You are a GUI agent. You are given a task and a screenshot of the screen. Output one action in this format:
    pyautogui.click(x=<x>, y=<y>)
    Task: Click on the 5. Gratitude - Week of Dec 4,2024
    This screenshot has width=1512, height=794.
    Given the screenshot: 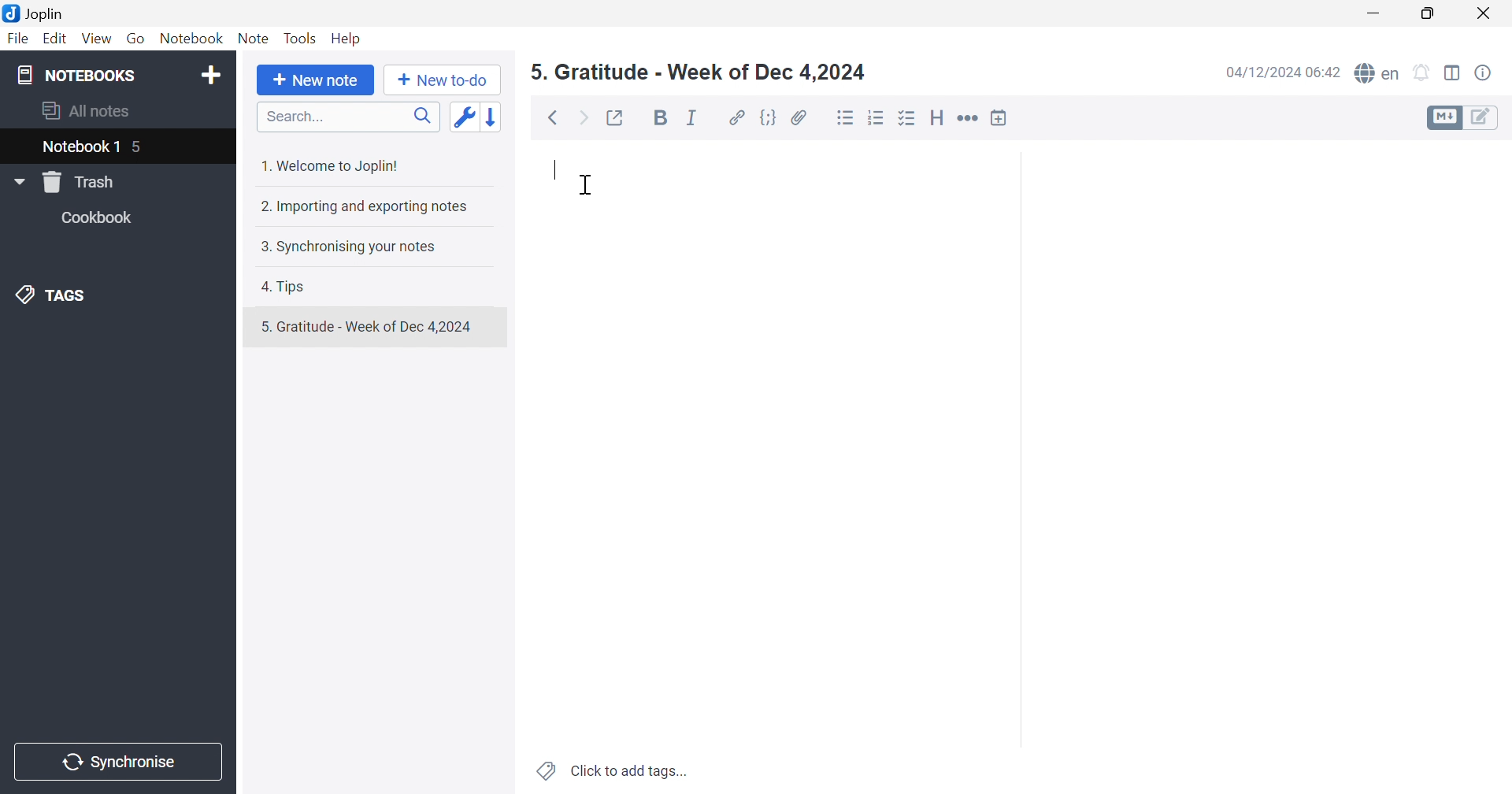 What is the action you would take?
    pyautogui.click(x=375, y=326)
    